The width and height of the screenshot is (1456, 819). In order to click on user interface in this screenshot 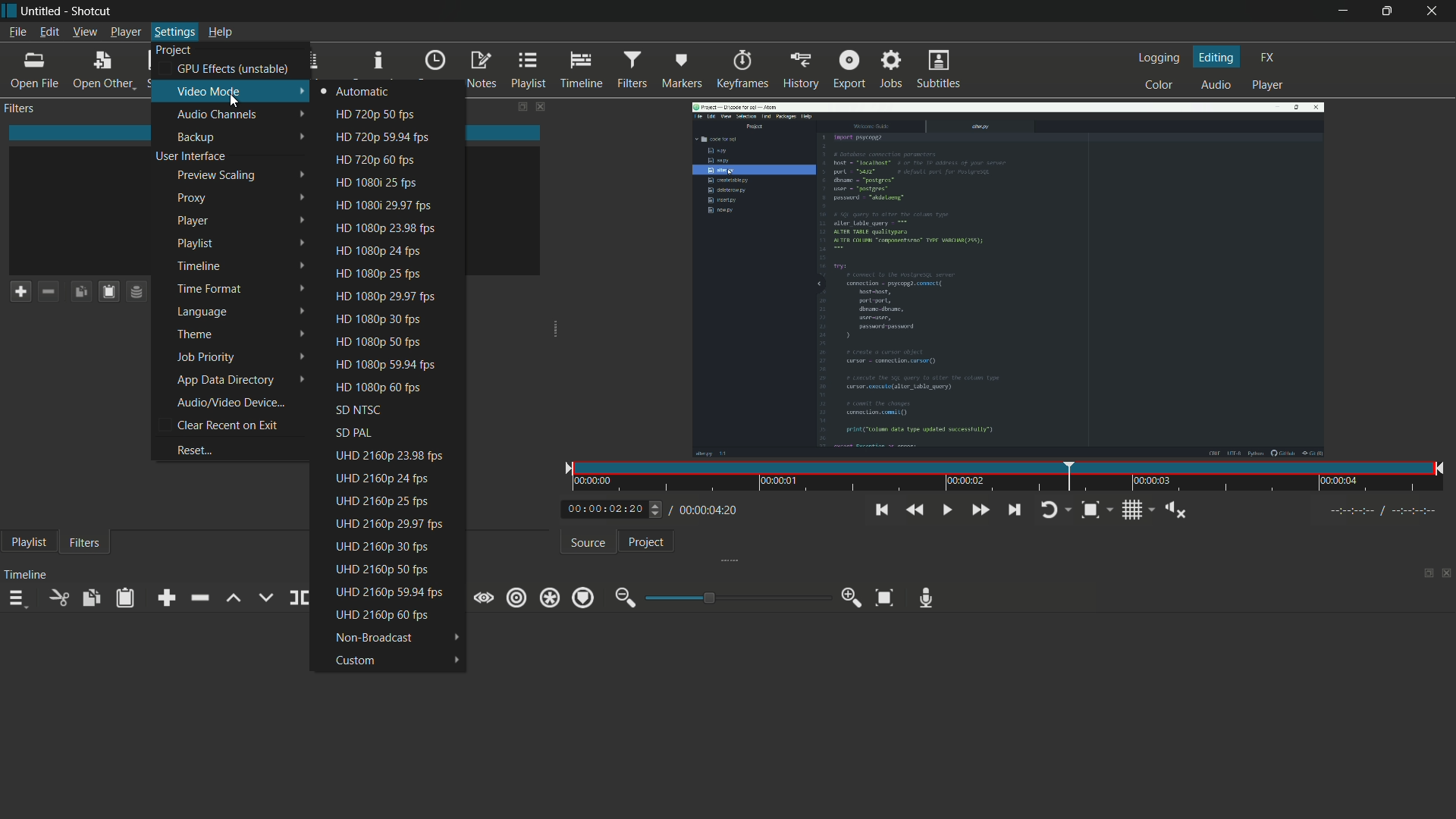, I will do `click(234, 157)`.